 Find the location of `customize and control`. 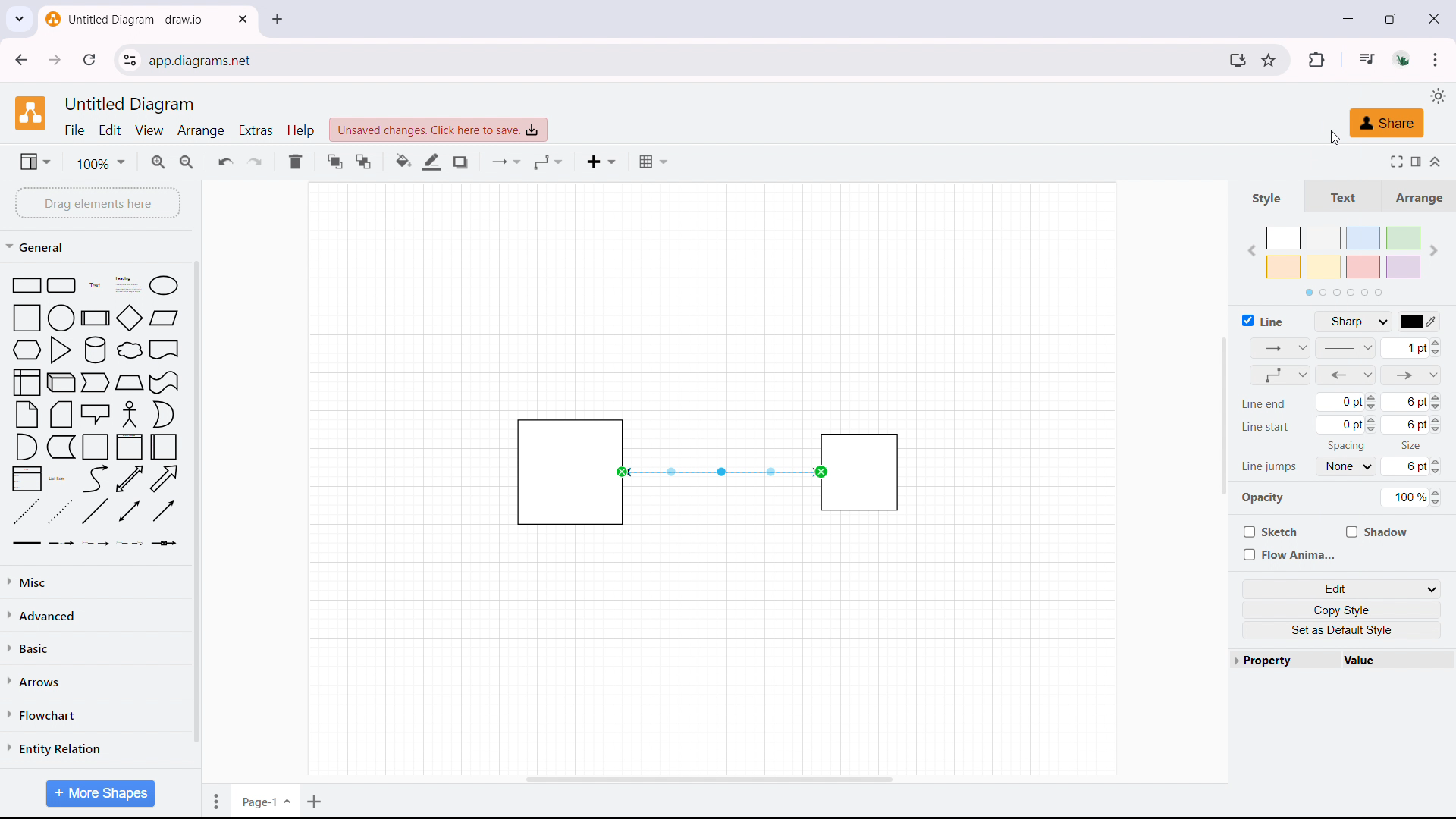

customize and control is located at coordinates (1436, 59).